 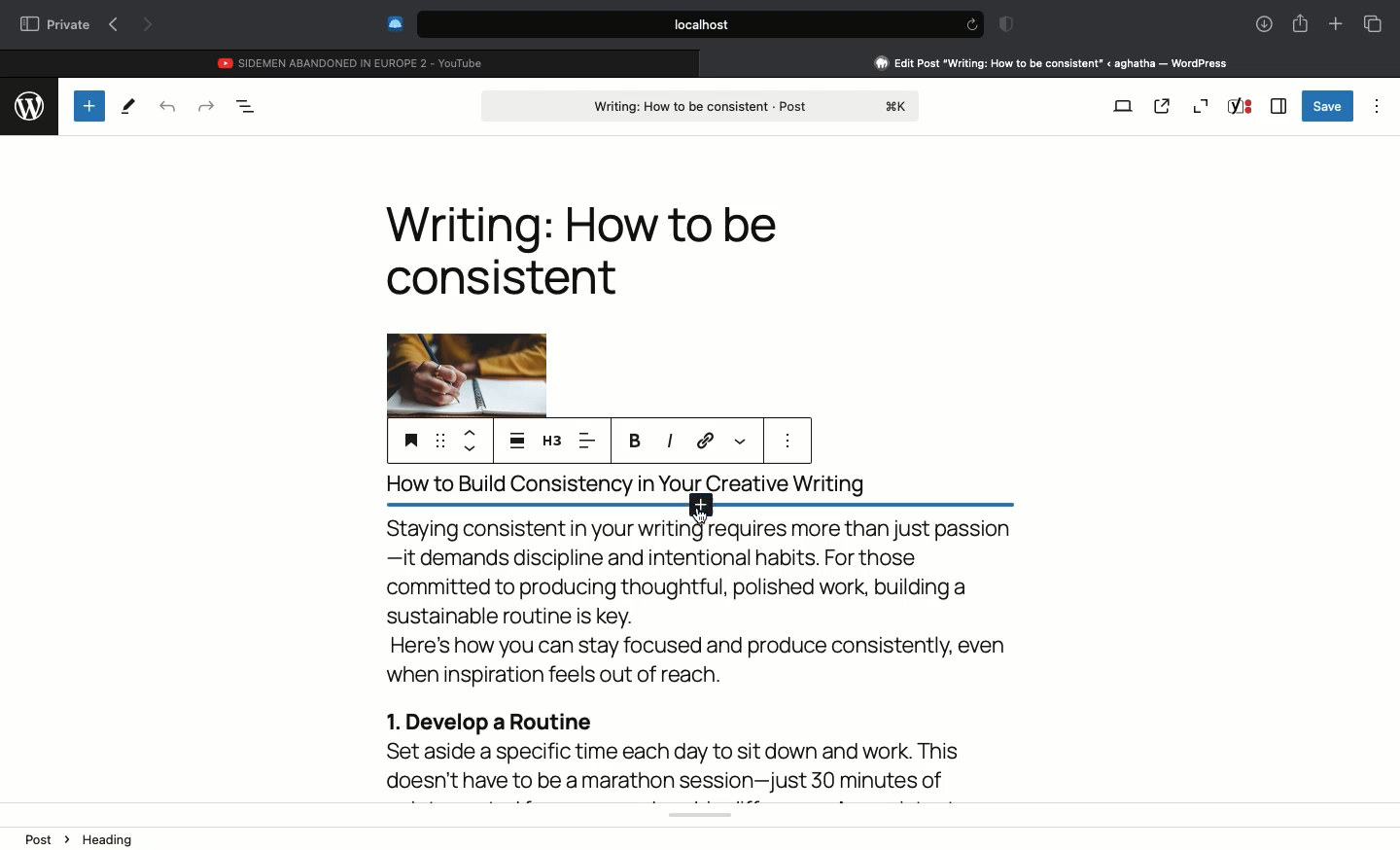 What do you see at coordinates (167, 106) in the screenshot?
I see `Undo` at bounding box center [167, 106].